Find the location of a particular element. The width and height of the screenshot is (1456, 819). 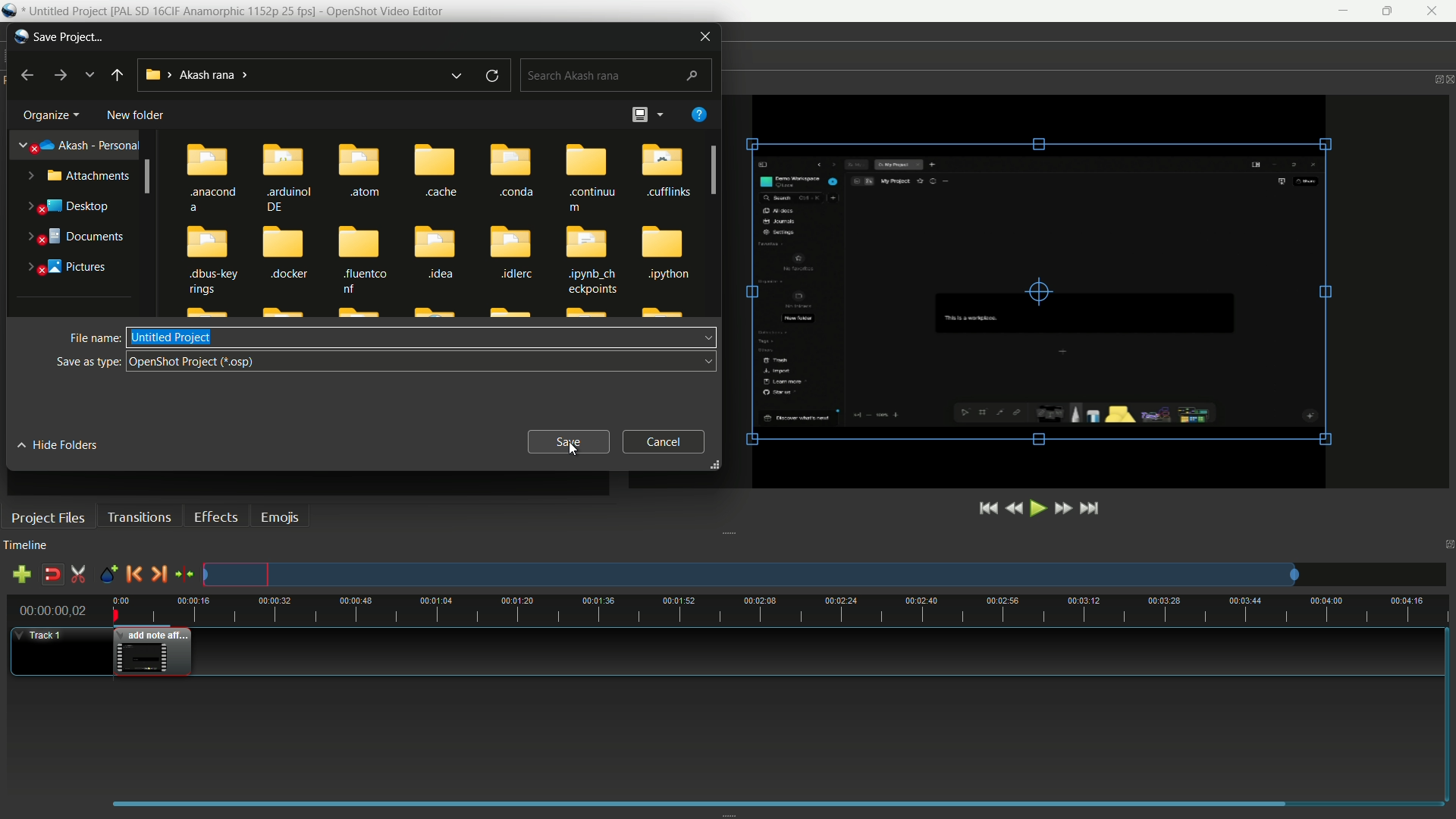

emojis is located at coordinates (281, 516).